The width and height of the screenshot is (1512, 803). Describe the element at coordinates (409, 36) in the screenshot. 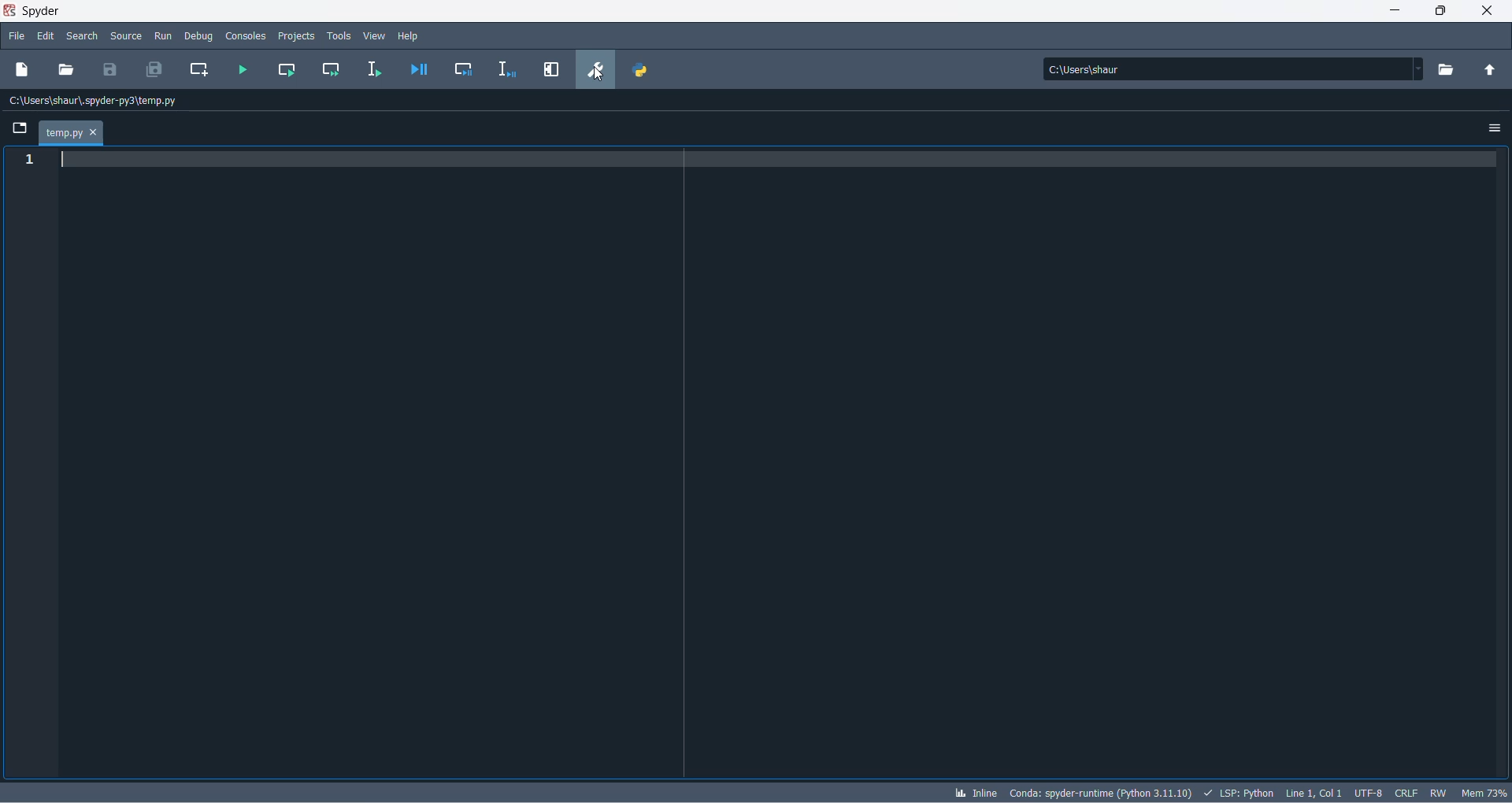

I see `help` at that location.